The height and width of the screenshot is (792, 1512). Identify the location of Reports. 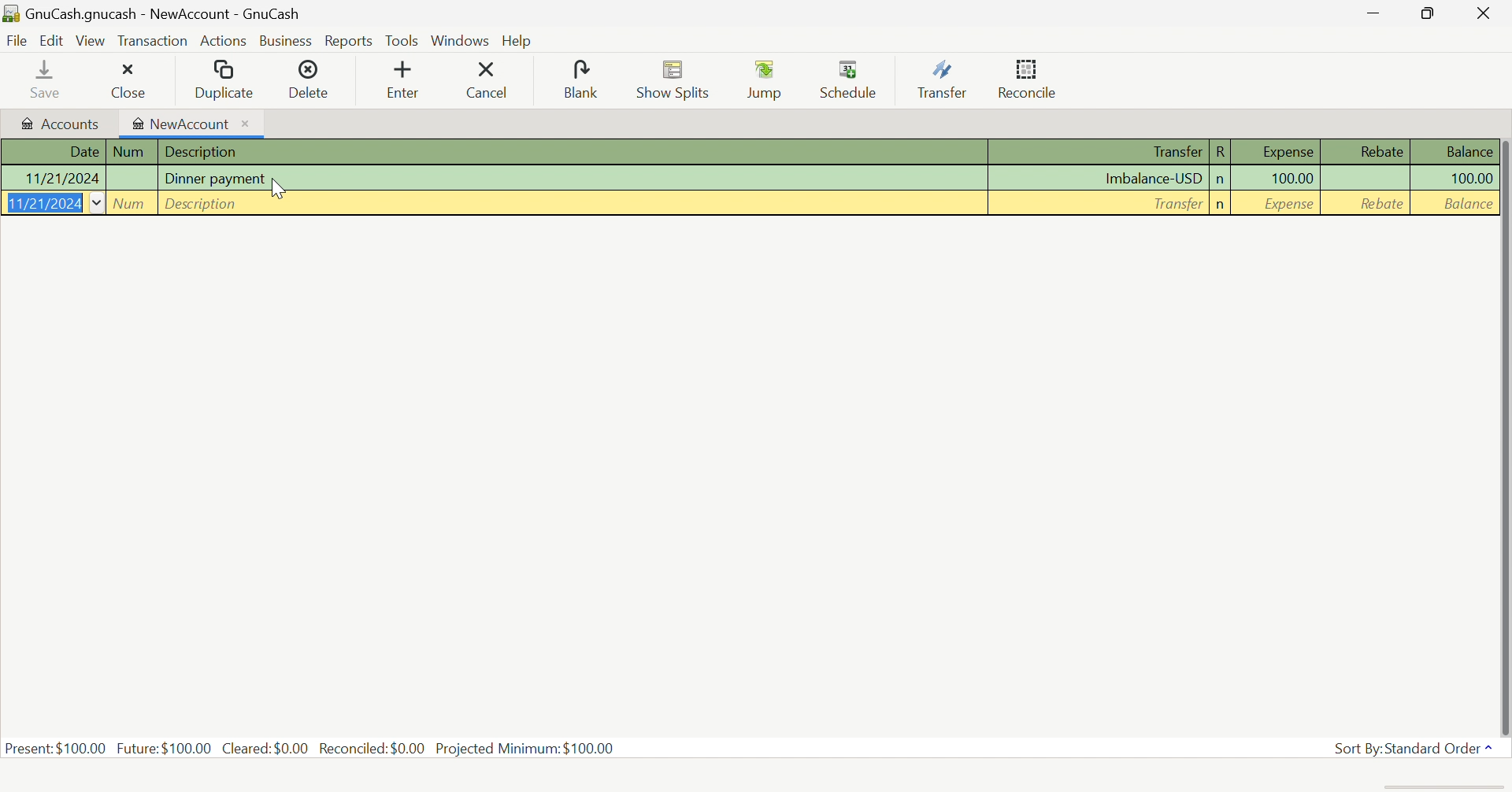
(349, 43).